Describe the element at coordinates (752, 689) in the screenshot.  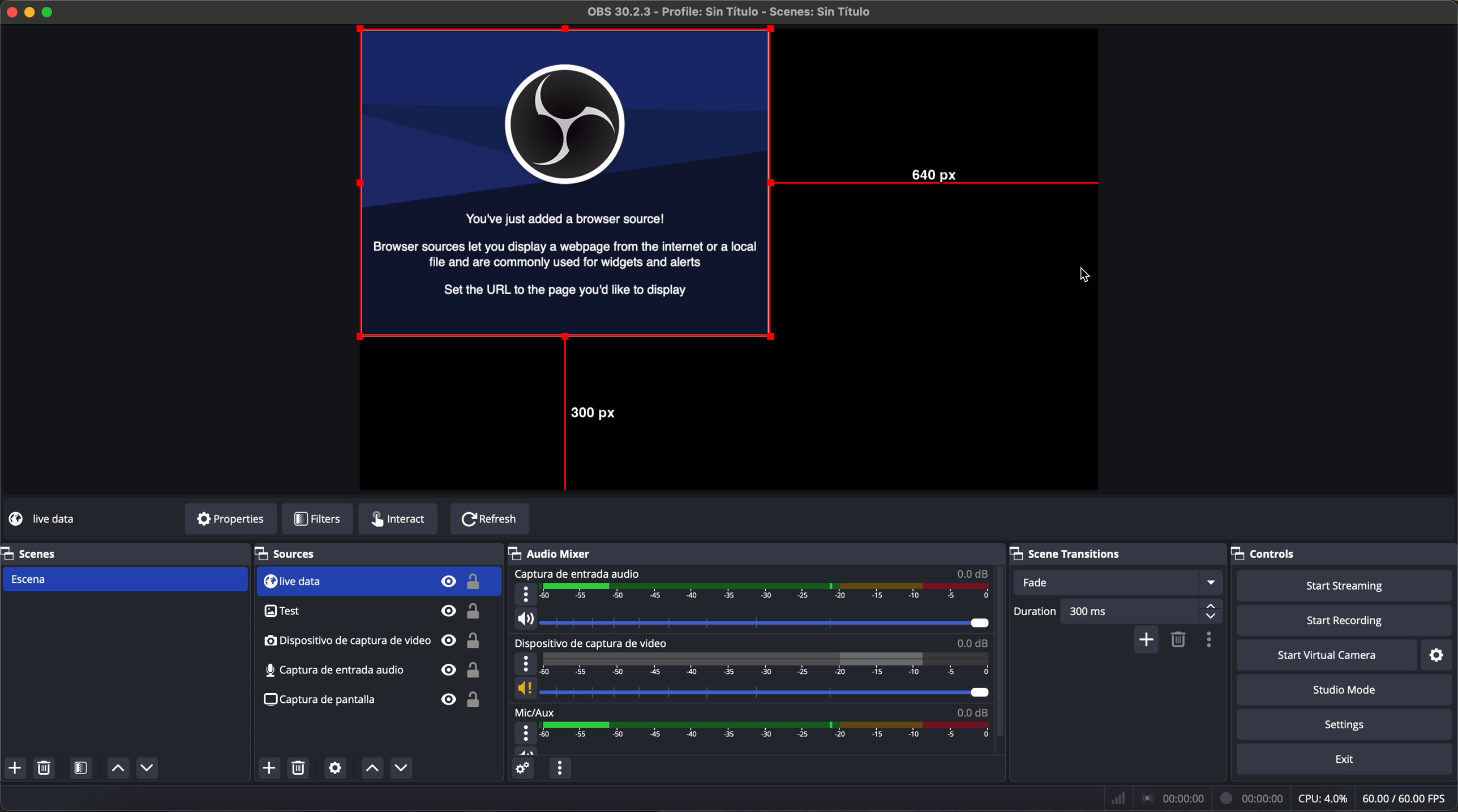
I see `vol` at that location.